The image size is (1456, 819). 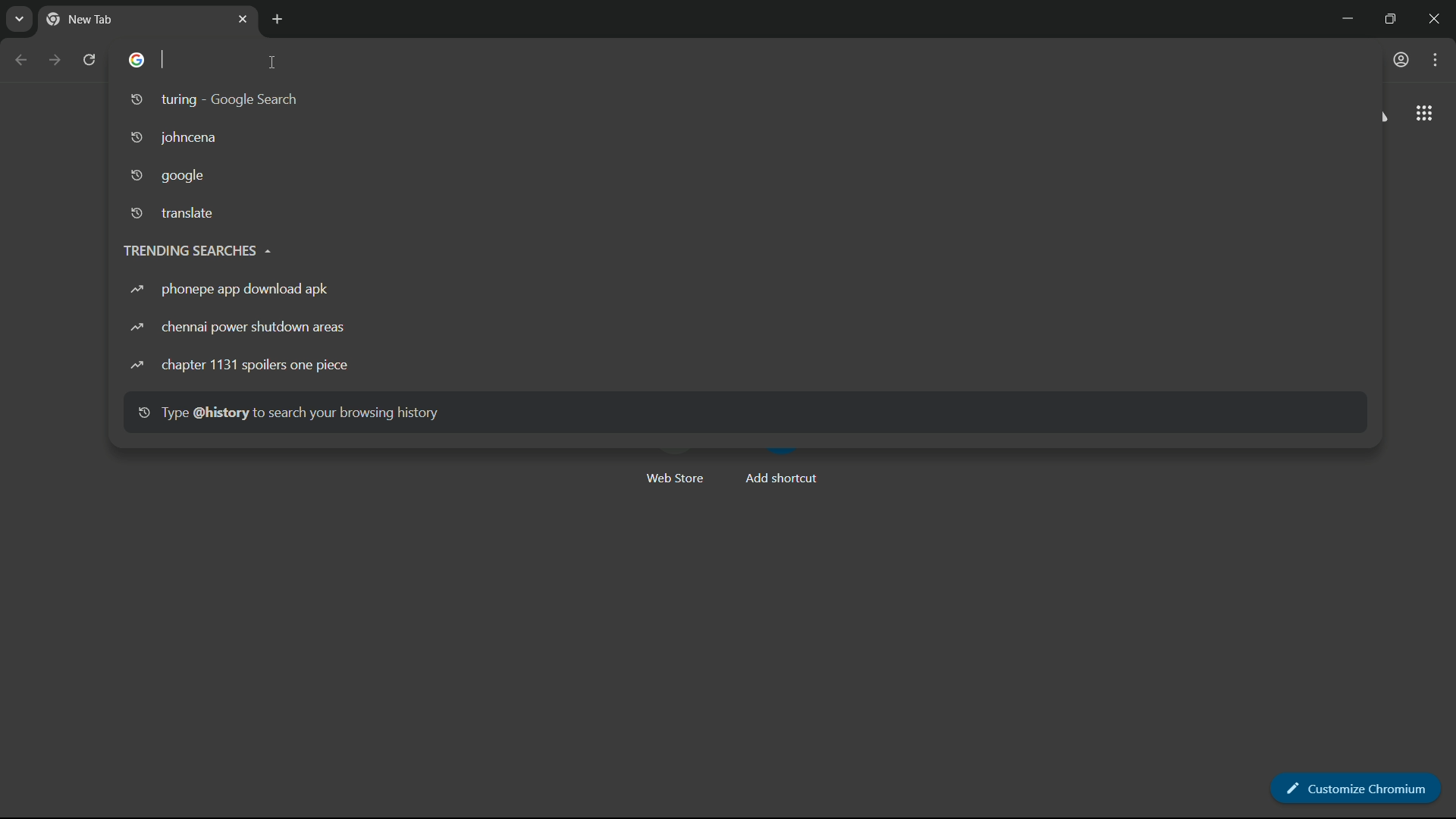 I want to click on close, so click(x=1439, y=19).